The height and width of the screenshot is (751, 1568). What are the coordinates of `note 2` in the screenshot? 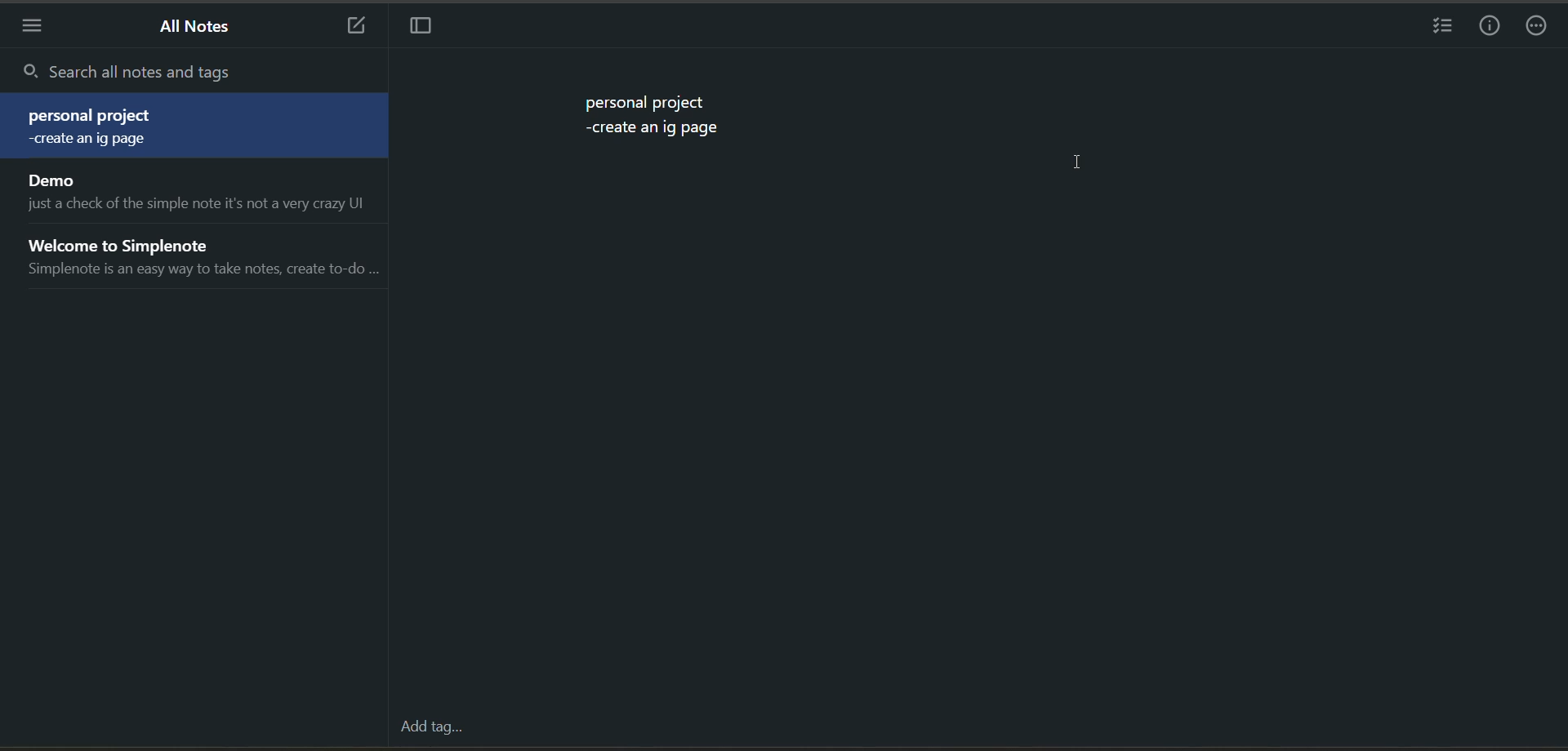 It's located at (199, 192).